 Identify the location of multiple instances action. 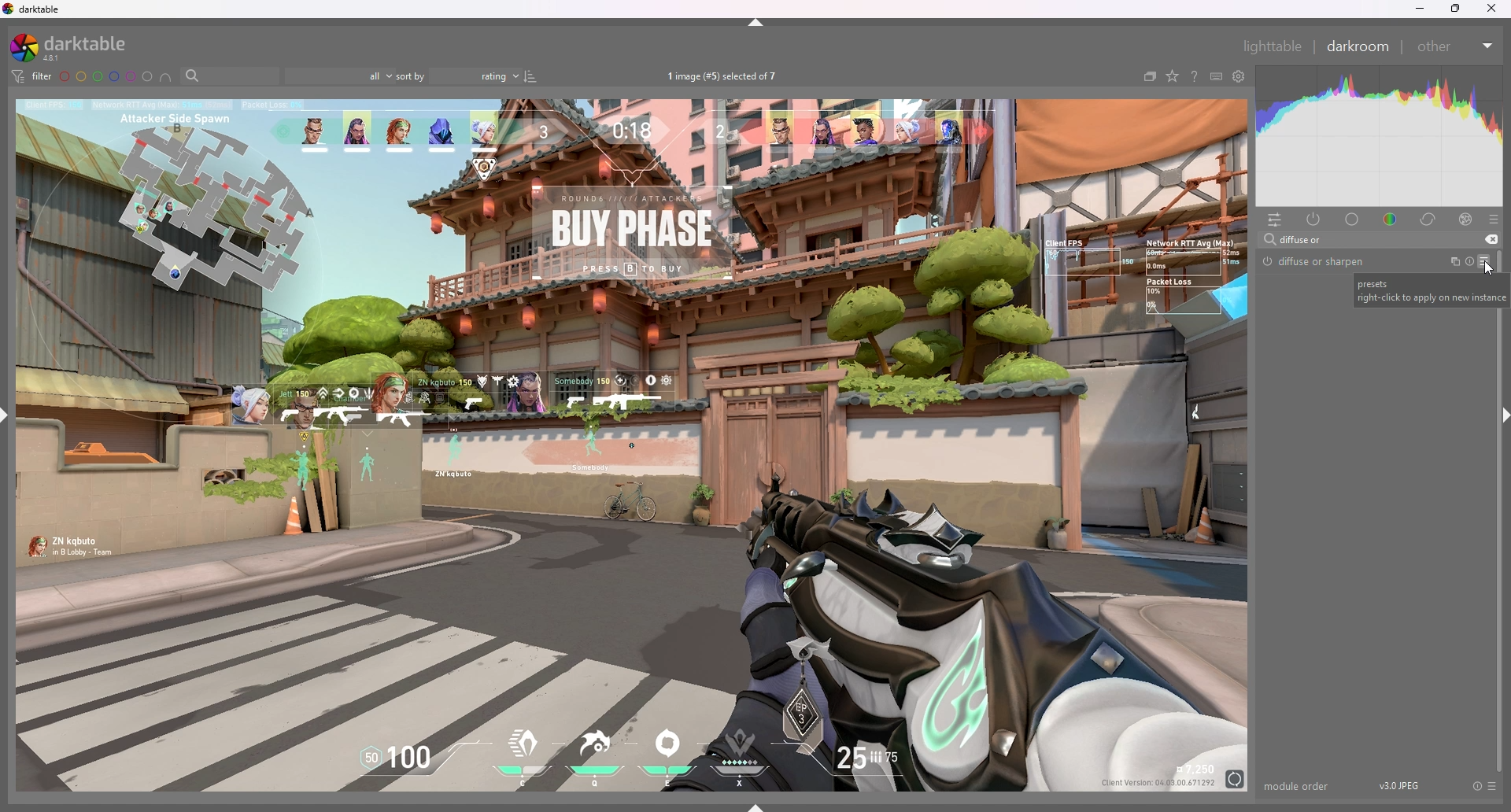
(1450, 262).